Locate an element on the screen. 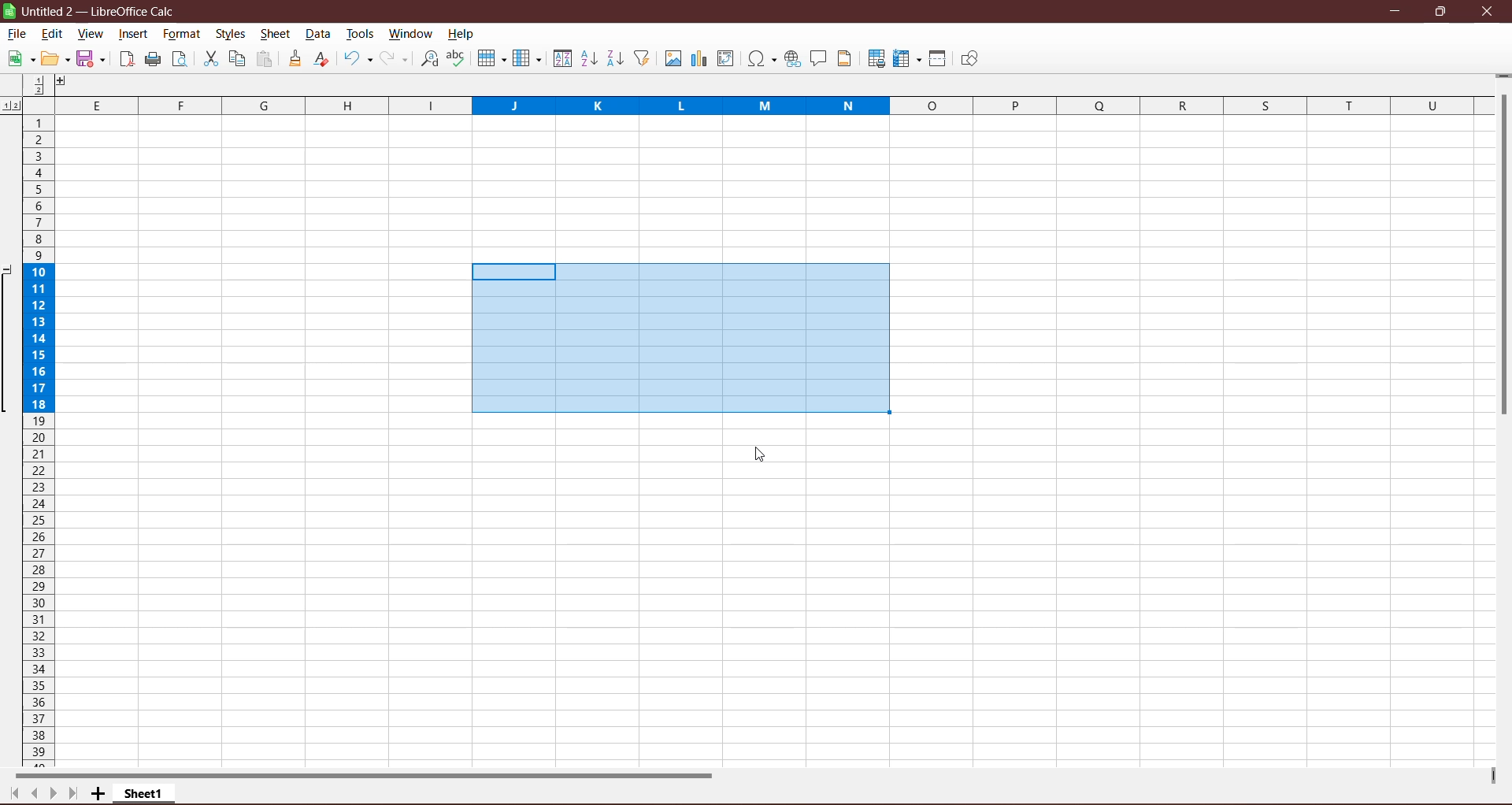 The image size is (1512, 805). Scroll to next page is located at coordinates (50, 792).